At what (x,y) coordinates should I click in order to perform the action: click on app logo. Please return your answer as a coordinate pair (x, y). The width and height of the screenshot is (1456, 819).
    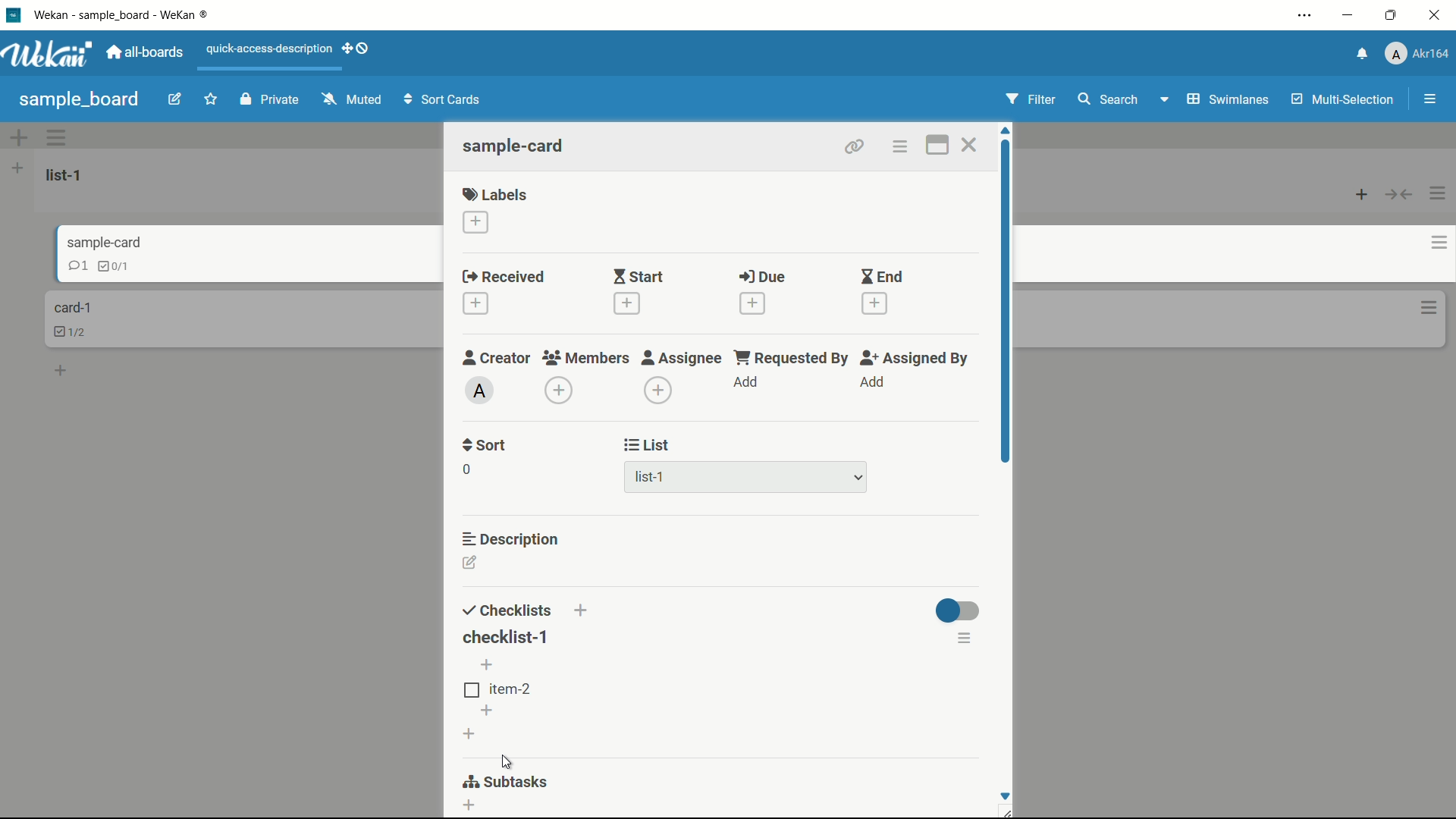
    Looking at the image, I should click on (49, 53).